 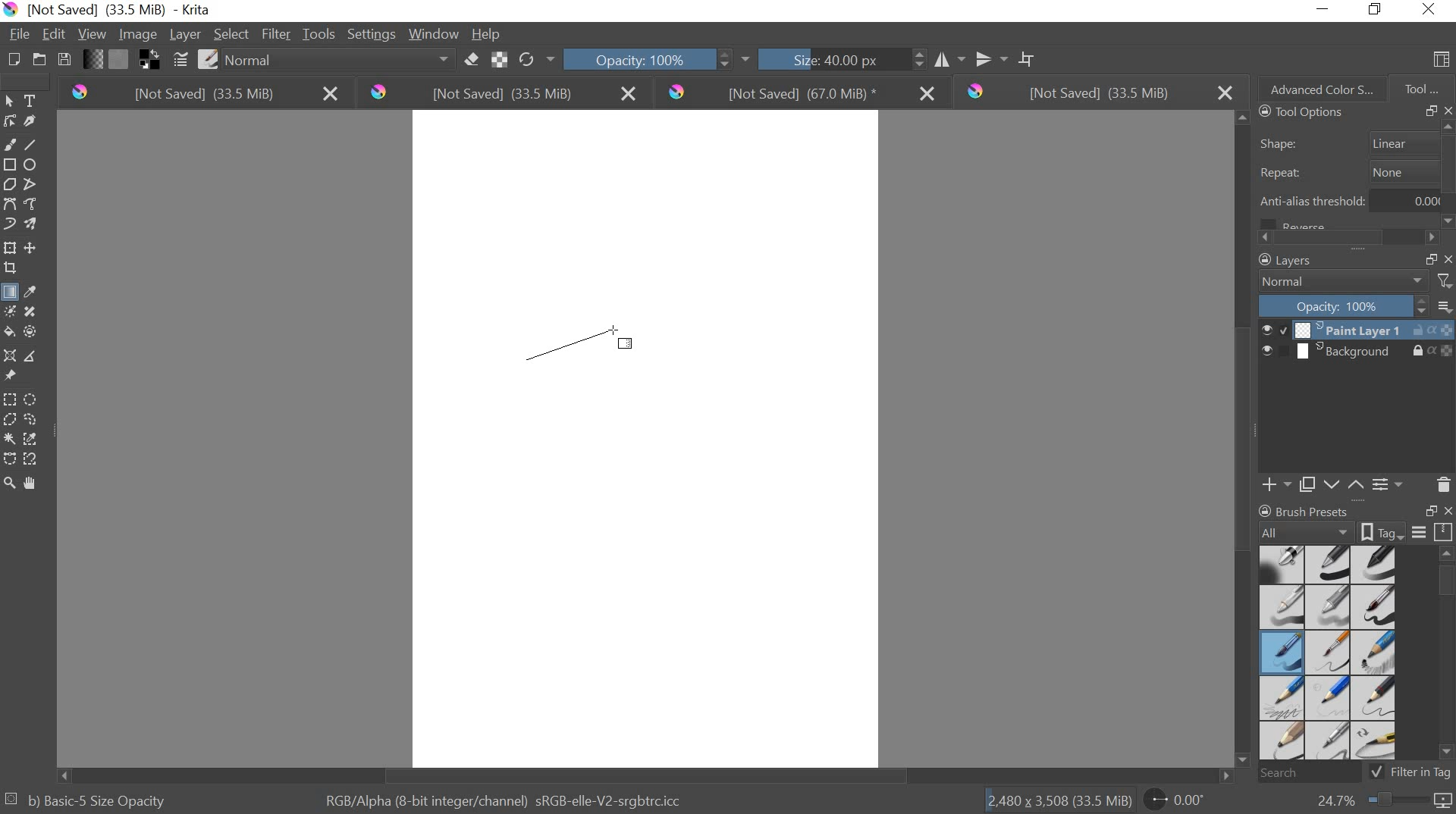 What do you see at coordinates (33, 249) in the screenshot?
I see `move layer` at bounding box center [33, 249].